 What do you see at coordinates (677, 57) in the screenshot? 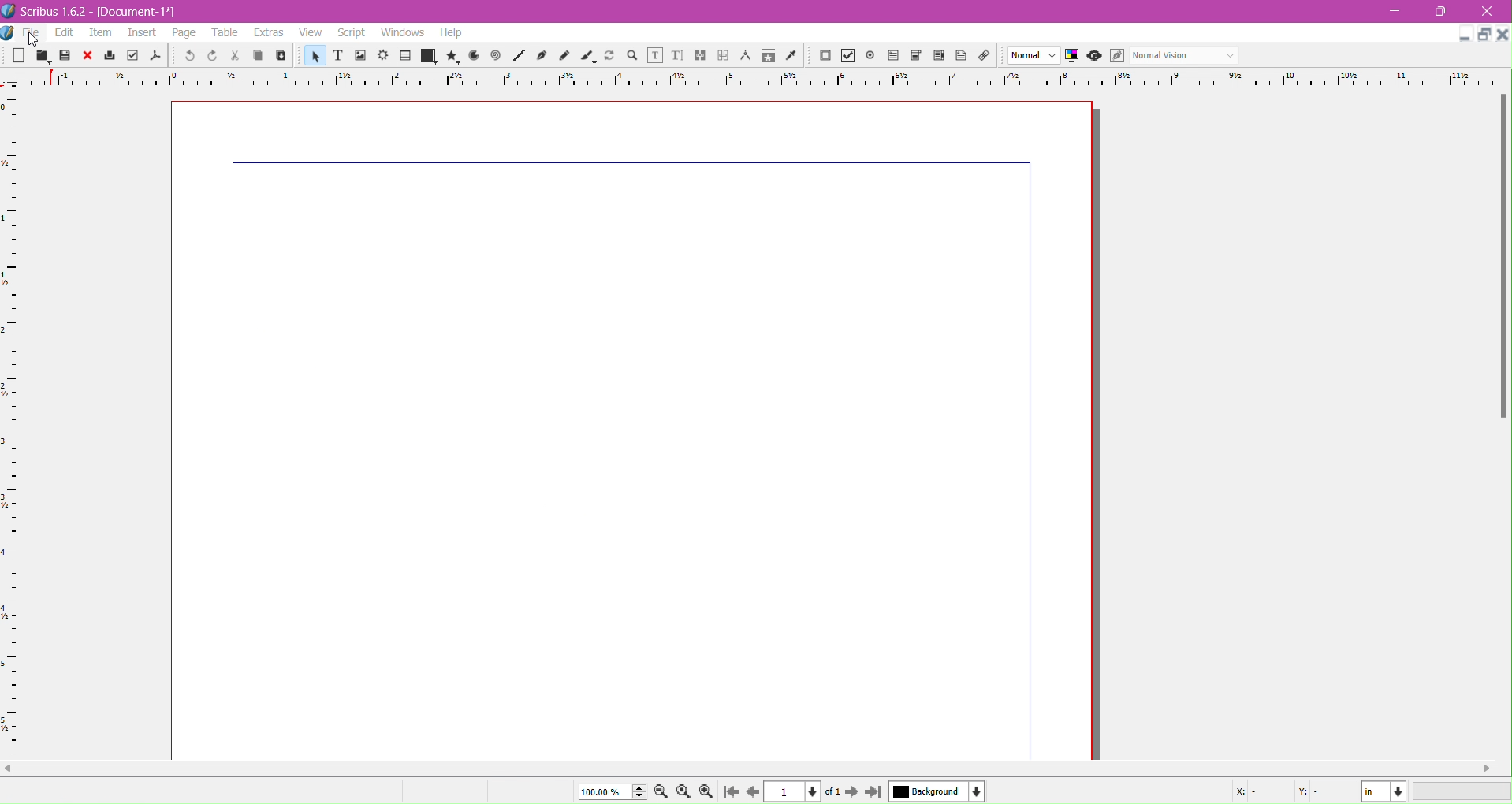
I see `edit text with story editor` at bounding box center [677, 57].